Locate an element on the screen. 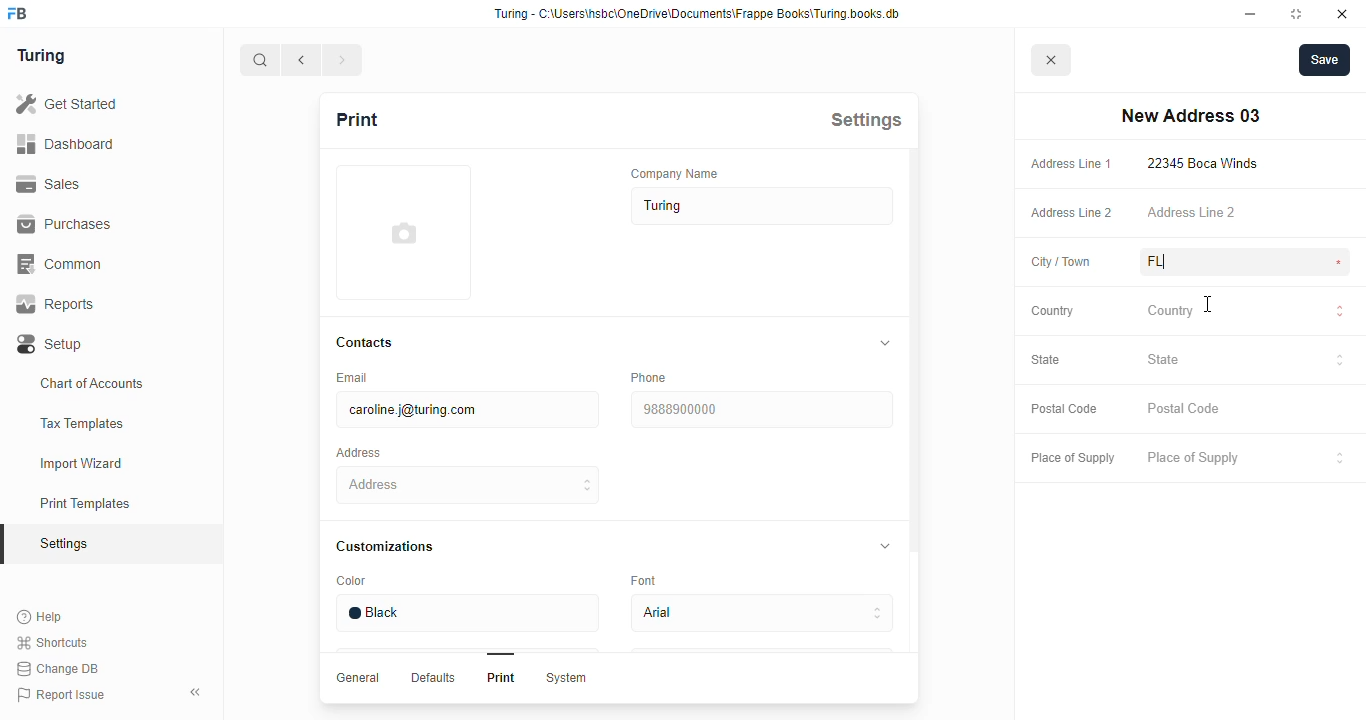  common is located at coordinates (62, 264).